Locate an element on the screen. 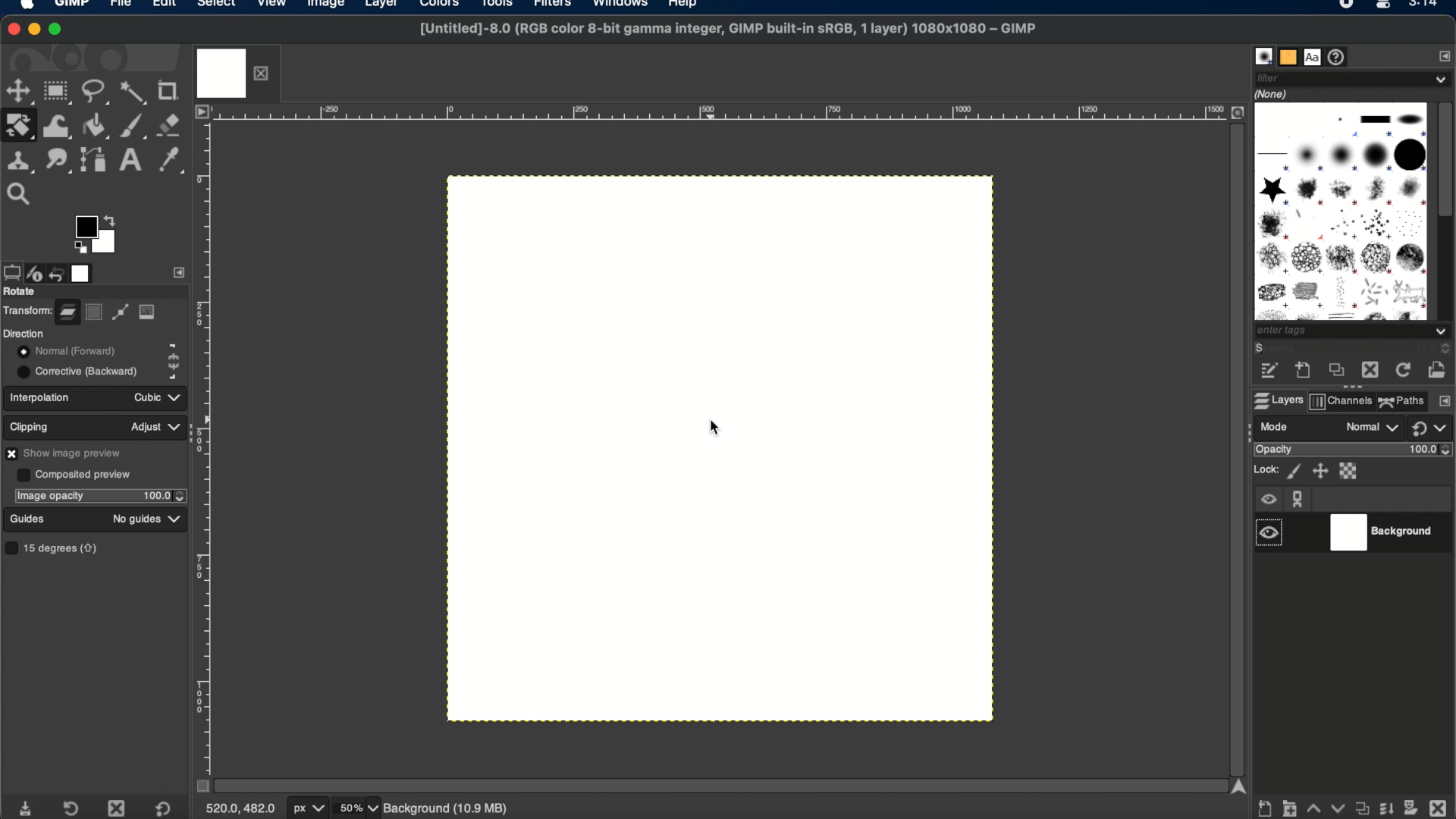 This screenshot has width=1456, height=819. fonts is located at coordinates (1313, 56).